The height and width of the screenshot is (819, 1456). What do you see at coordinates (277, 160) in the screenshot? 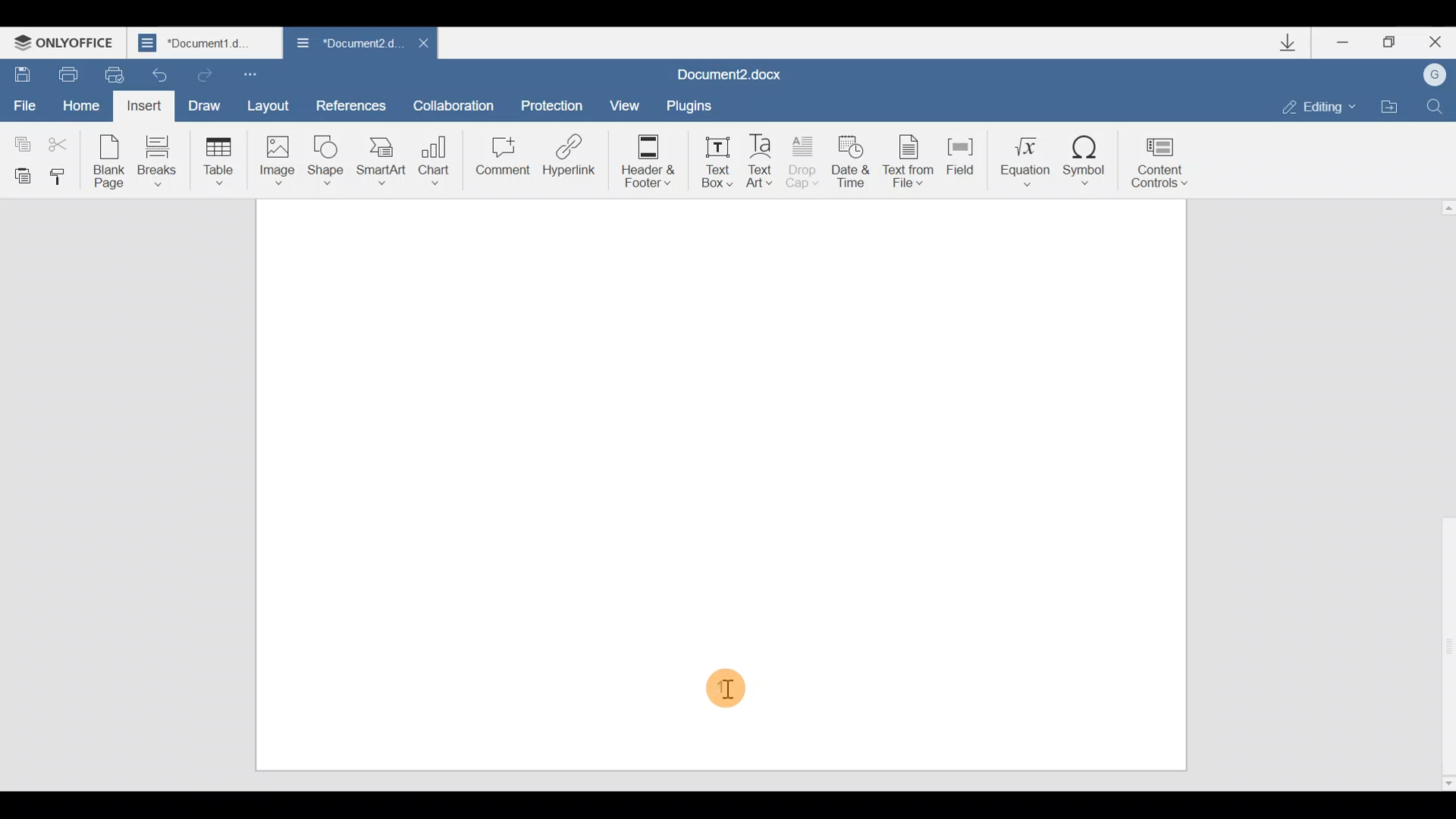
I see `Image` at bounding box center [277, 160].